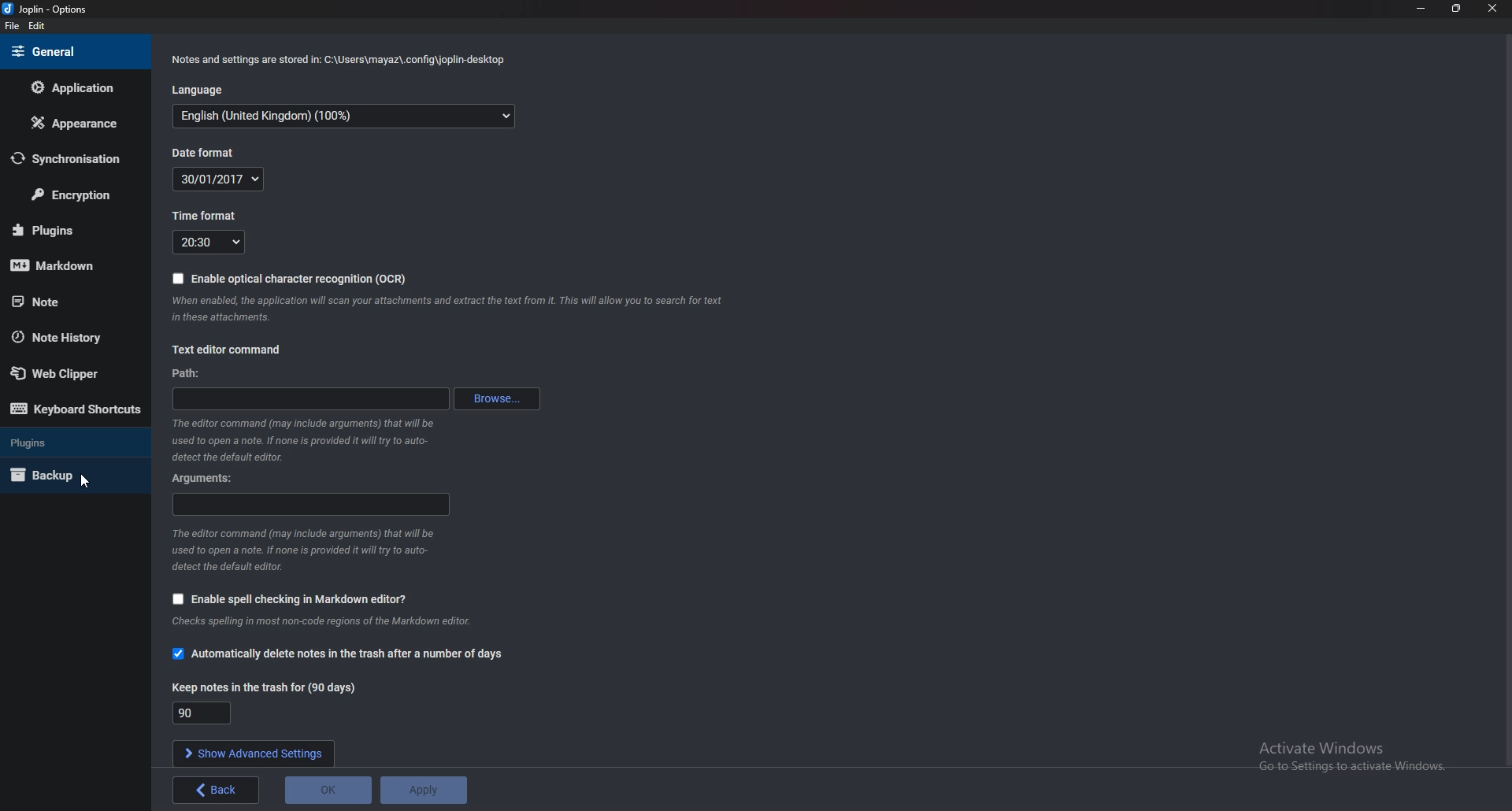  Describe the element at coordinates (205, 713) in the screenshot. I see `Keep notes in the trash for` at that location.